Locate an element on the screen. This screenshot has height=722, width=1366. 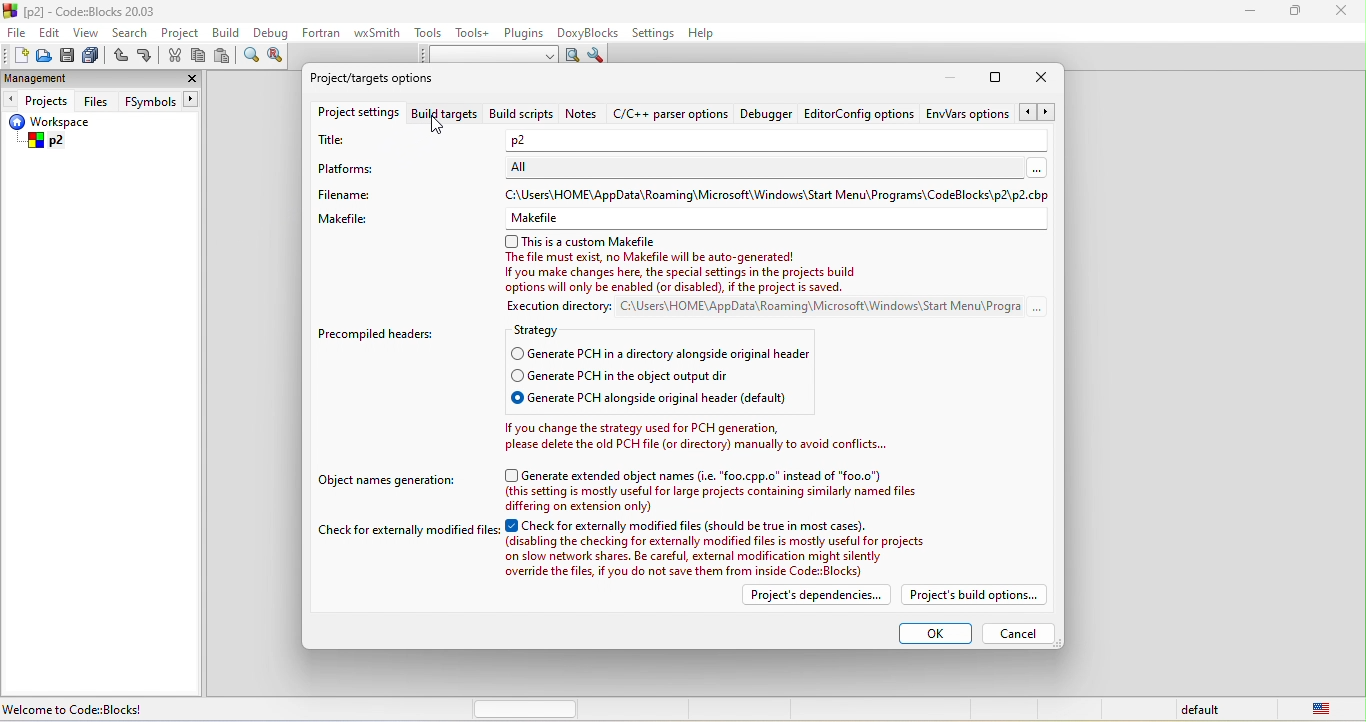
cursor movement is located at coordinates (438, 126).